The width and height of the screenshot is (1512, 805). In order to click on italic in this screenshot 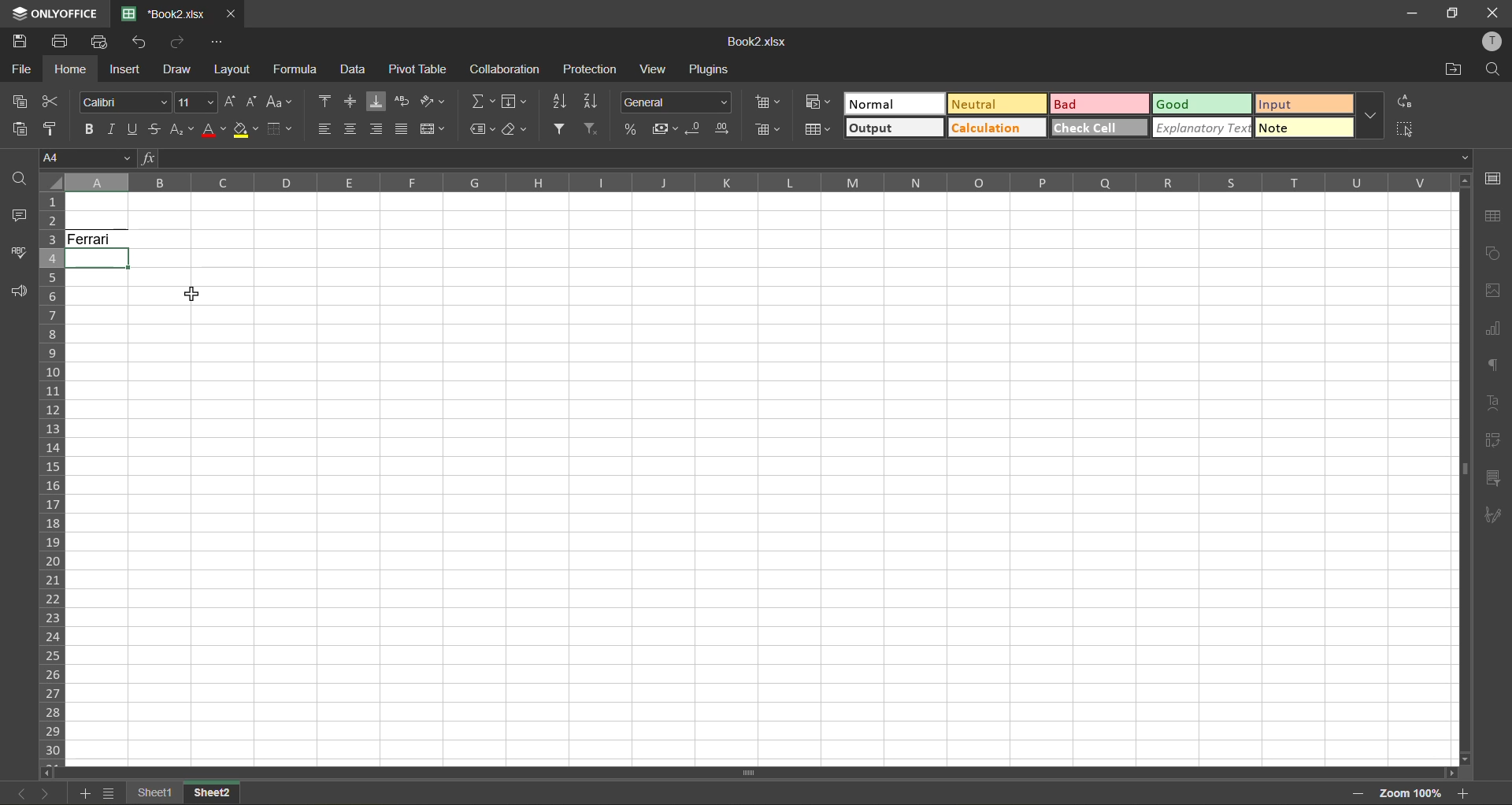, I will do `click(113, 126)`.